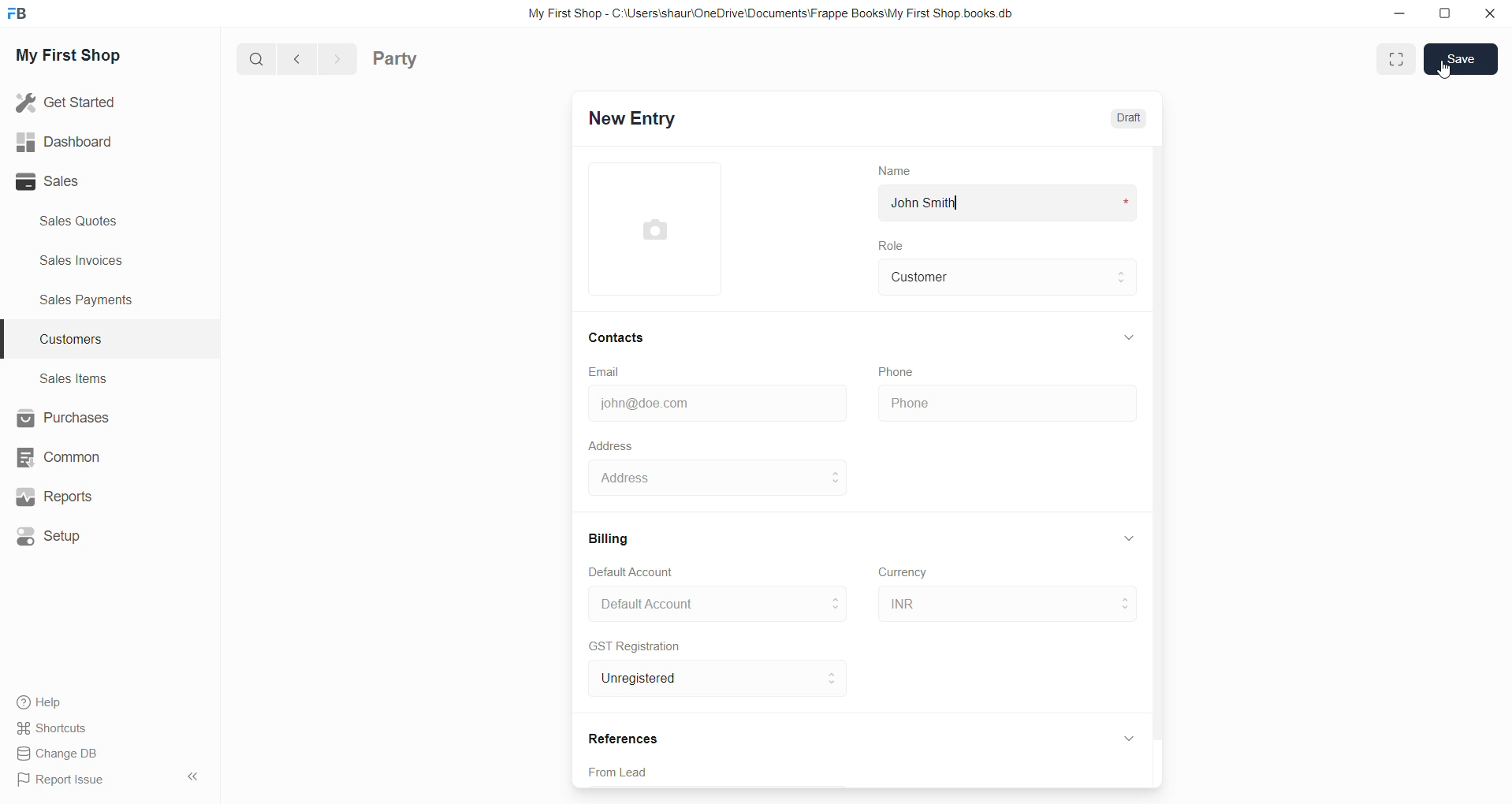 The width and height of the screenshot is (1512, 804). Describe the element at coordinates (763, 13) in the screenshot. I see `My First Shop - C:\Users\shaur\OneDrive\Documents\Frappe BooksiMy First Shop books db` at that location.